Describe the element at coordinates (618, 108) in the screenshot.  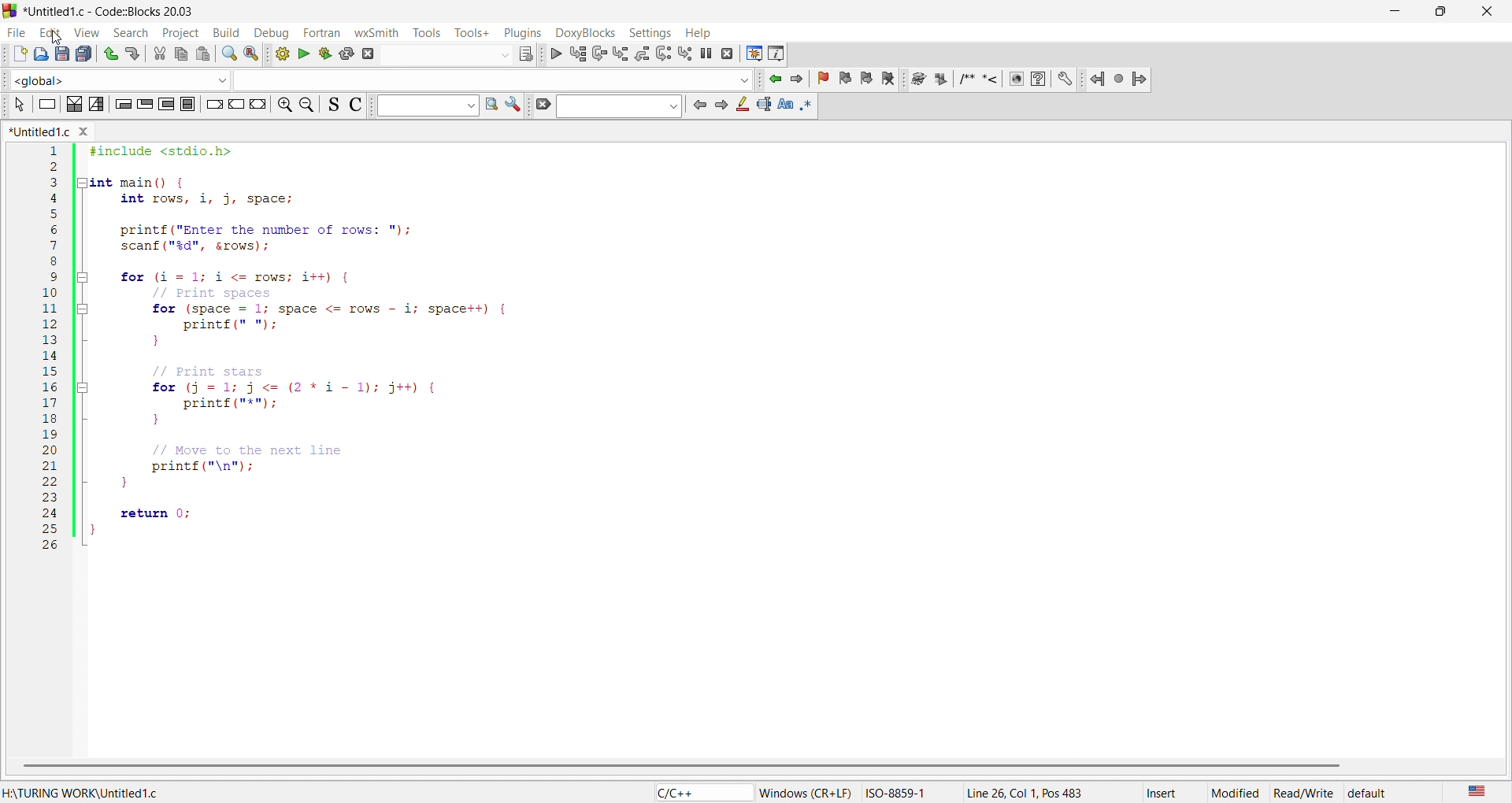
I see `search bar` at that location.